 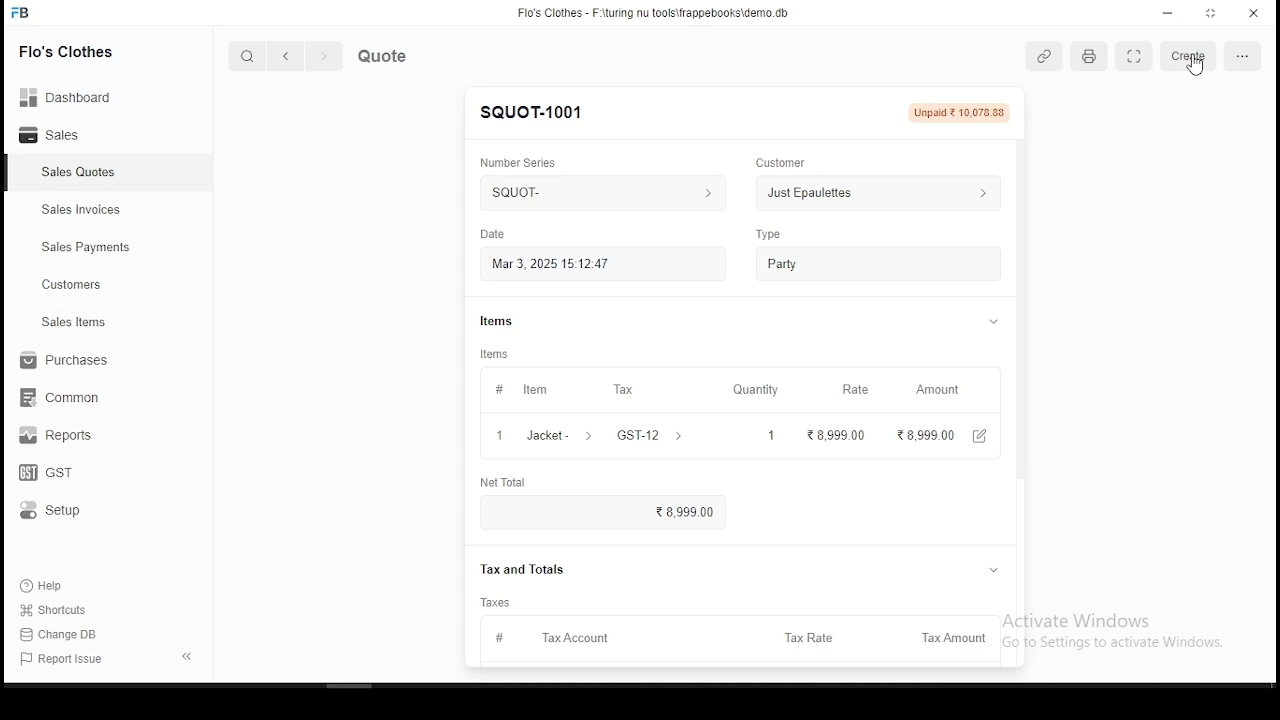 I want to click on Activate Windows
Go to Settings to activate Windows., so click(x=1125, y=627).